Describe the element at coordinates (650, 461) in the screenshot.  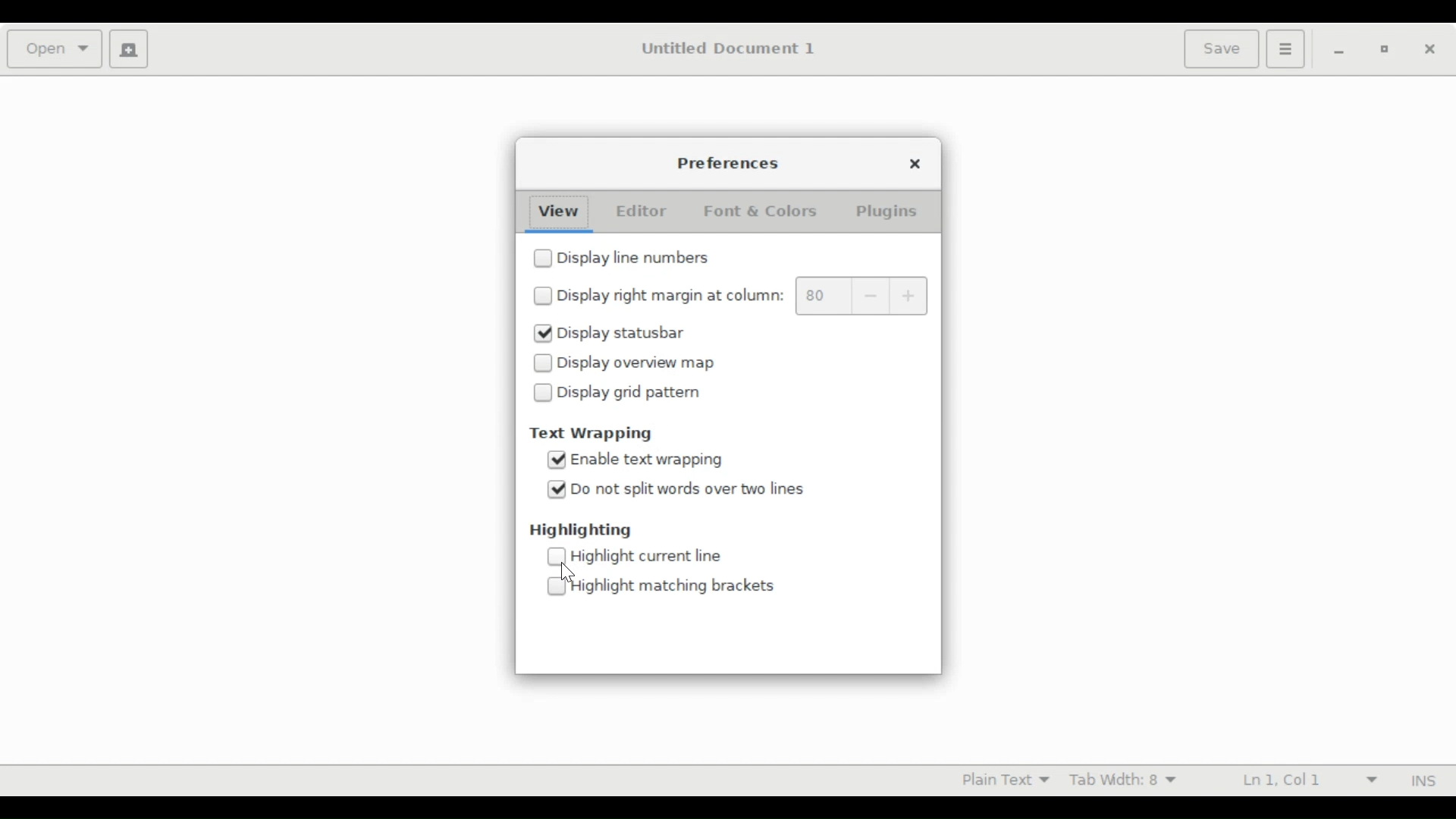
I see `Enable text wrapping` at that location.